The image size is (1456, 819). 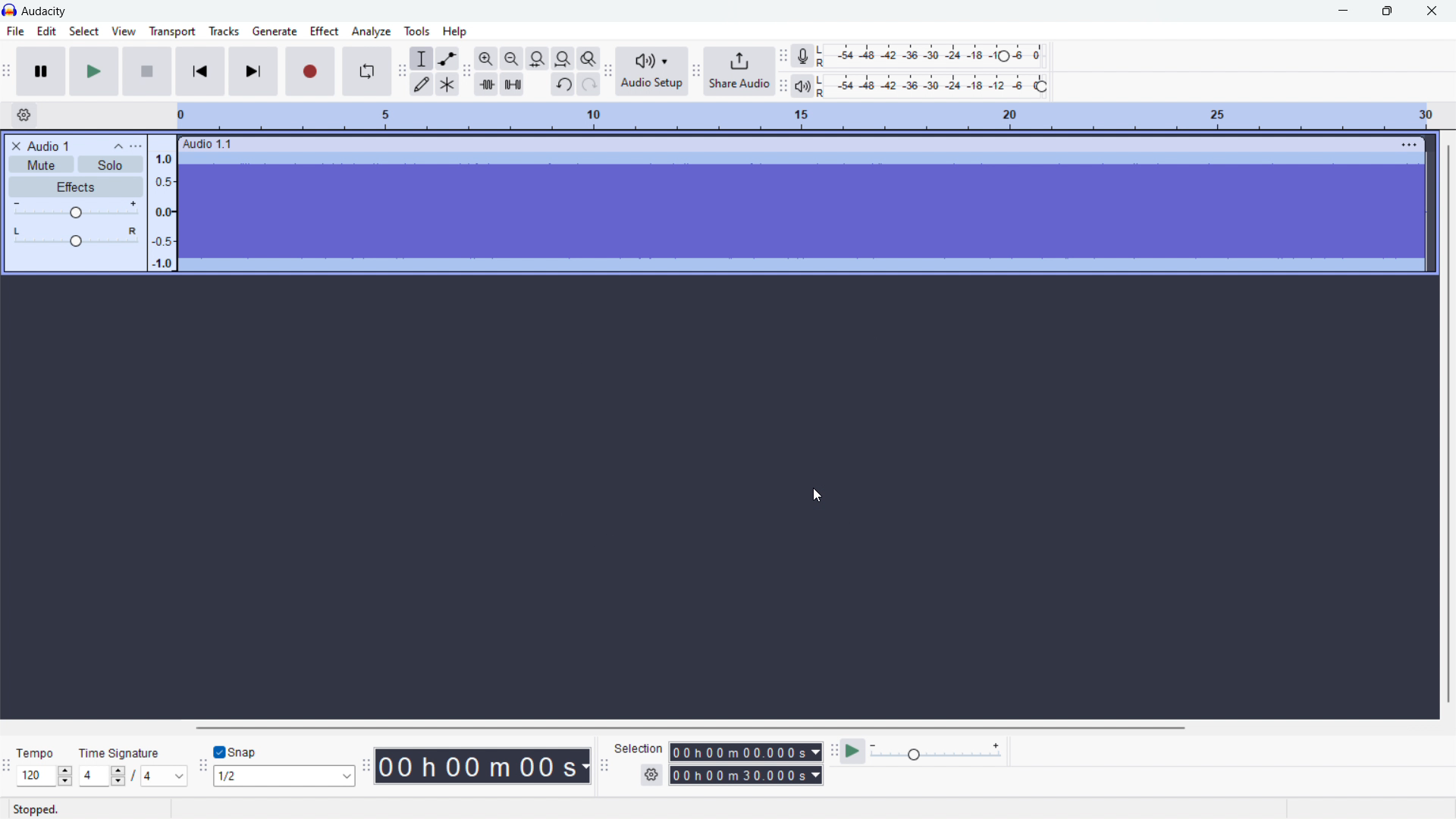 I want to click on zoom out, so click(x=511, y=58).